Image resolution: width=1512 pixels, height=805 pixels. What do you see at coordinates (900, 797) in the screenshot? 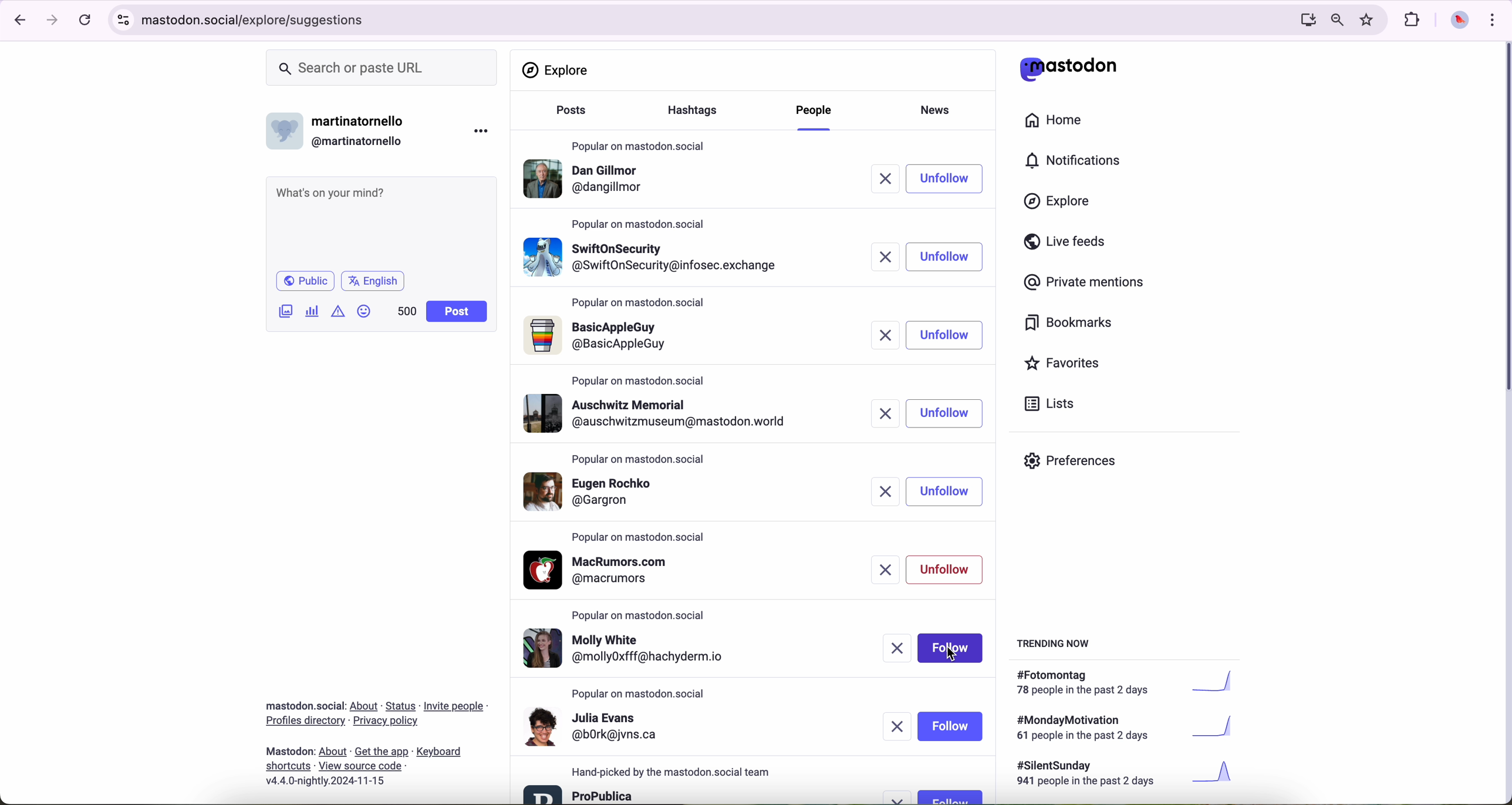
I see `remove` at bounding box center [900, 797].